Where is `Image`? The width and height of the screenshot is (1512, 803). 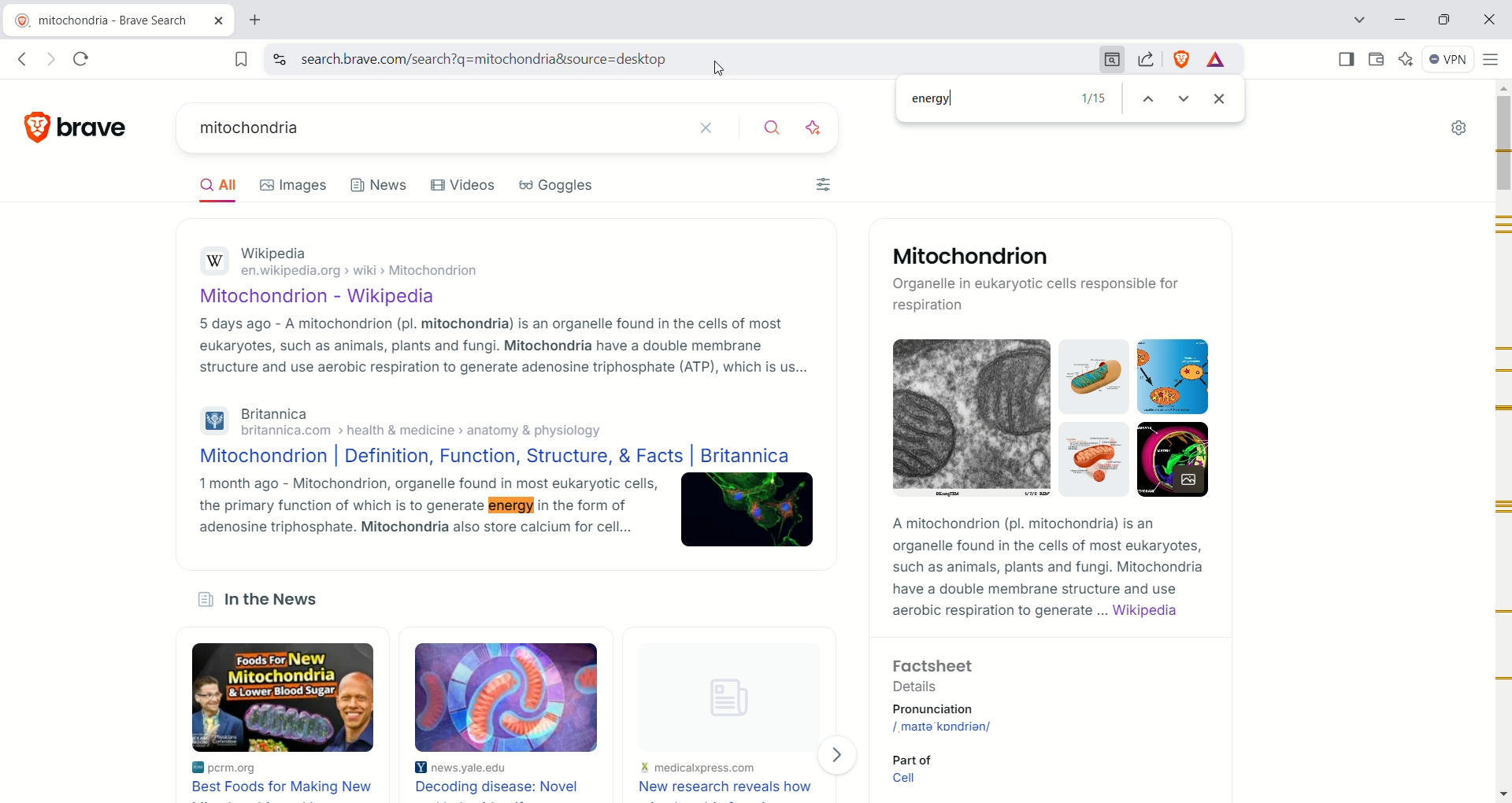 Image is located at coordinates (746, 509).